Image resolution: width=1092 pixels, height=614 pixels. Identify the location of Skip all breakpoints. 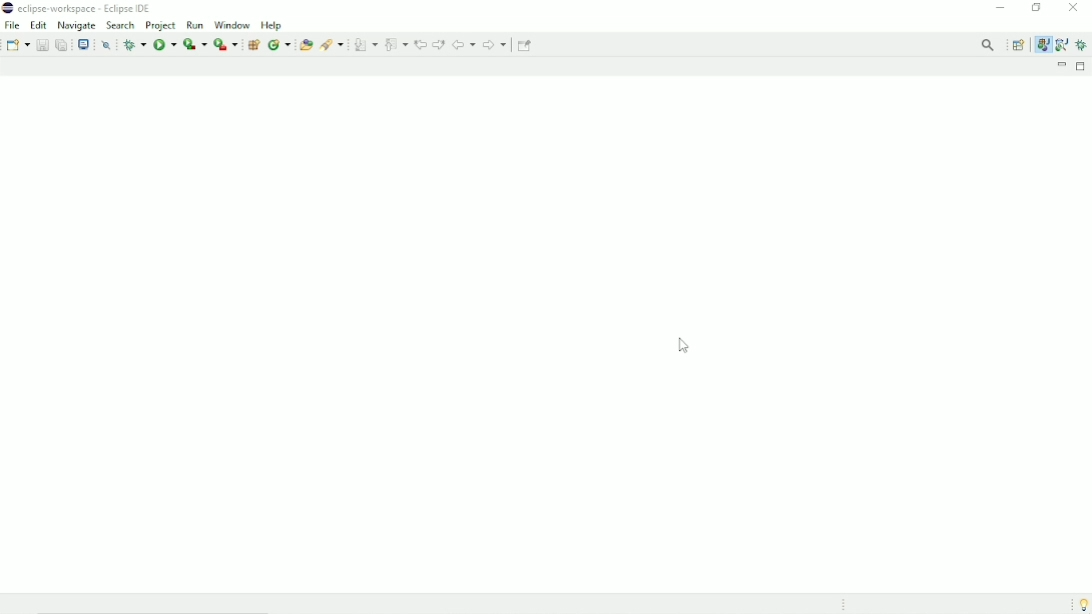
(106, 45).